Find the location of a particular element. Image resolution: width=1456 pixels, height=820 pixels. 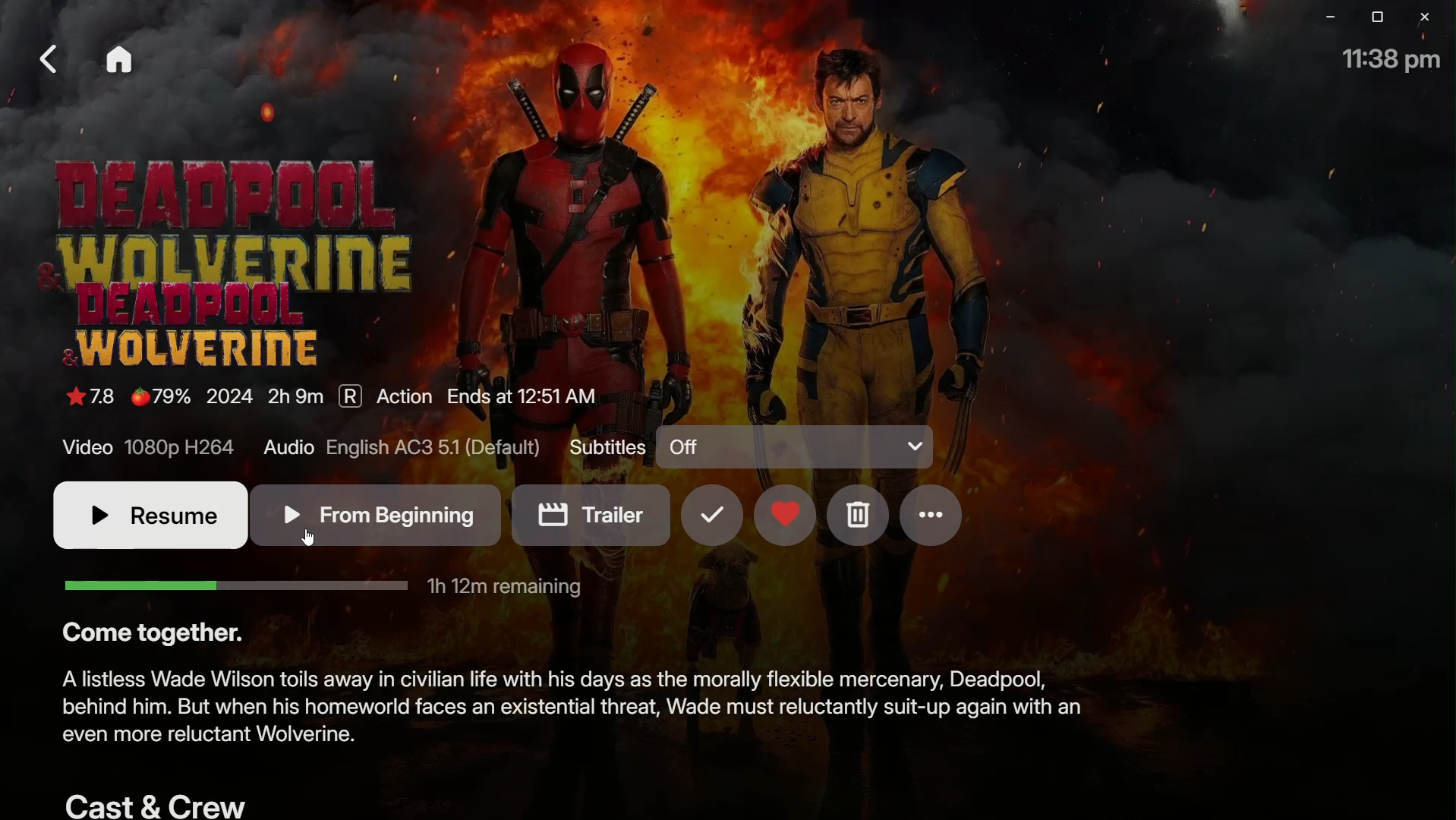

Favorite is located at coordinates (785, 516).